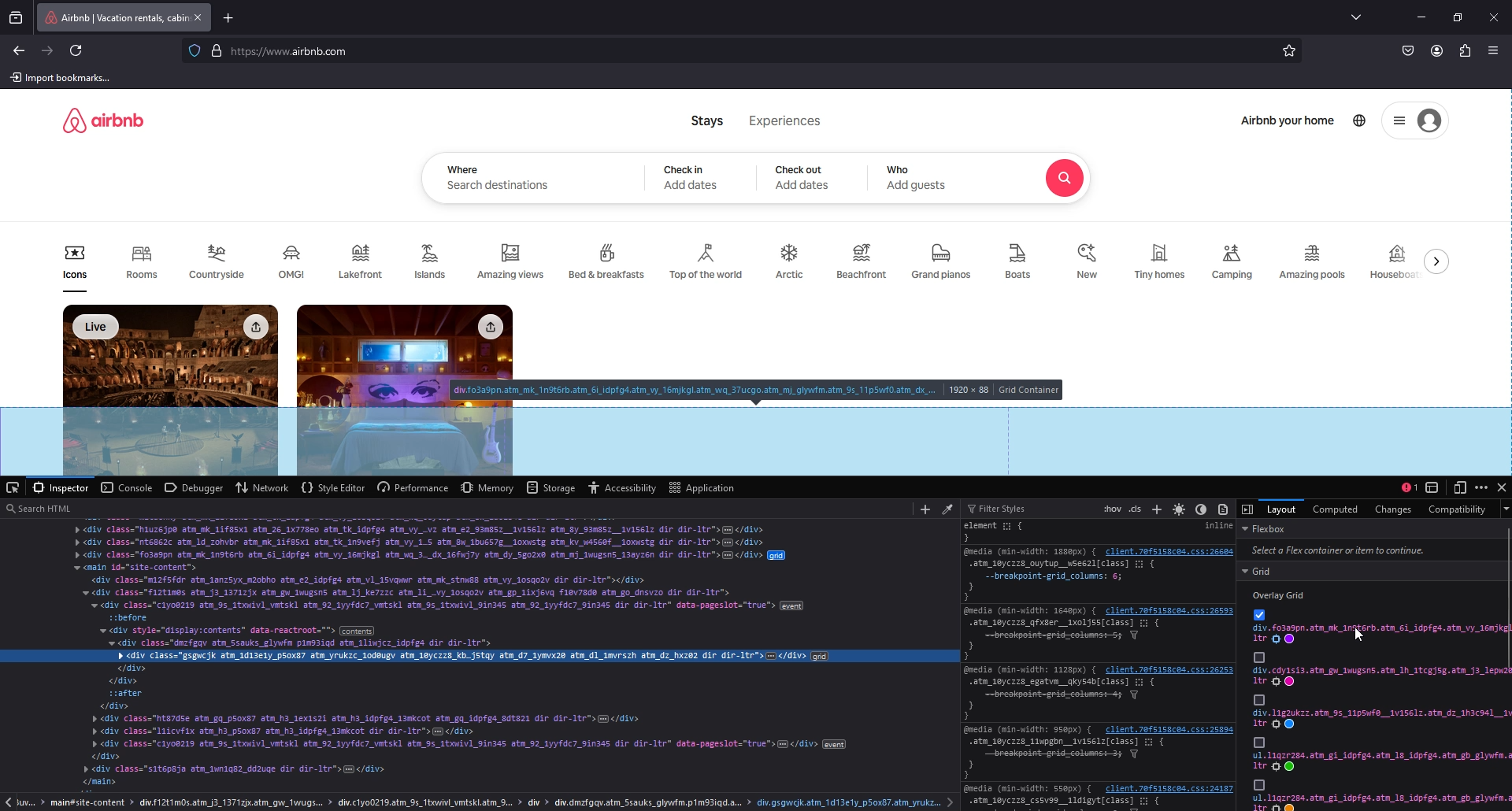 The width and height of the screenshot is (1512, 811). I want to click on Search icon, so click(1065, 179).